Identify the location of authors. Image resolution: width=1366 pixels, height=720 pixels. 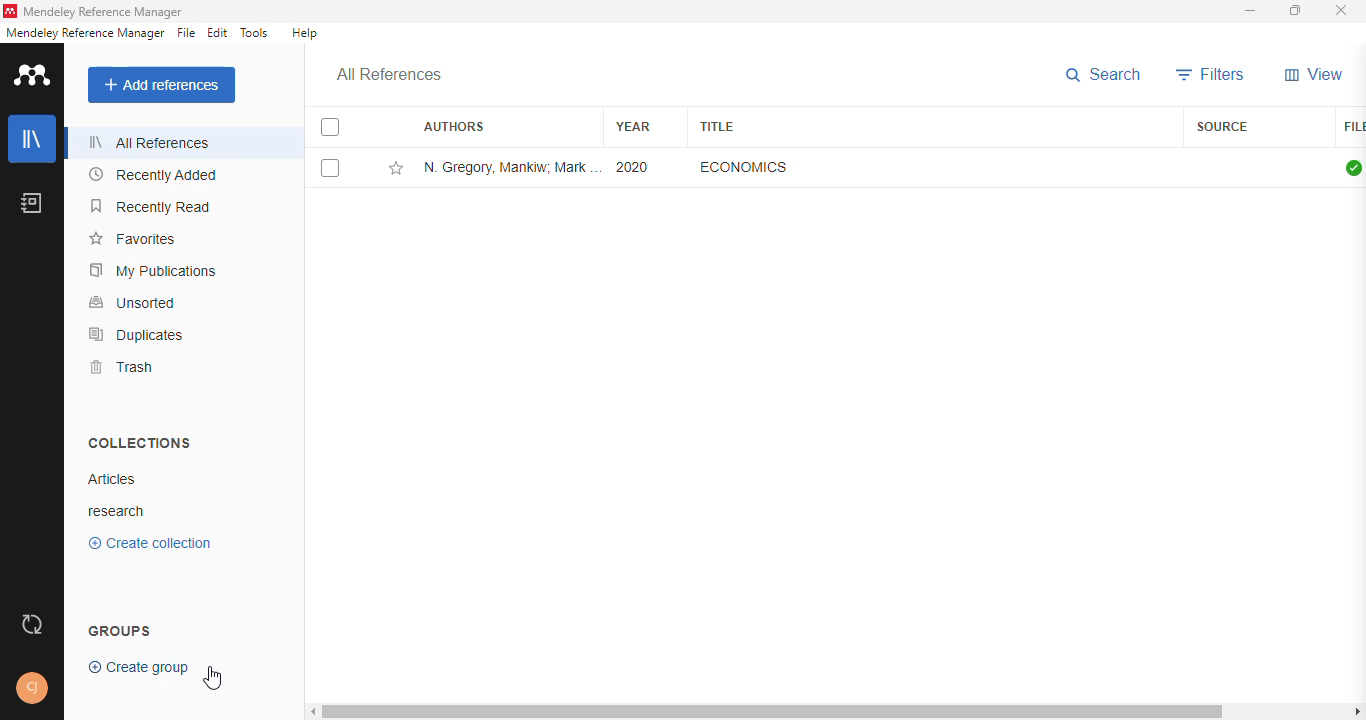
(454, 126).